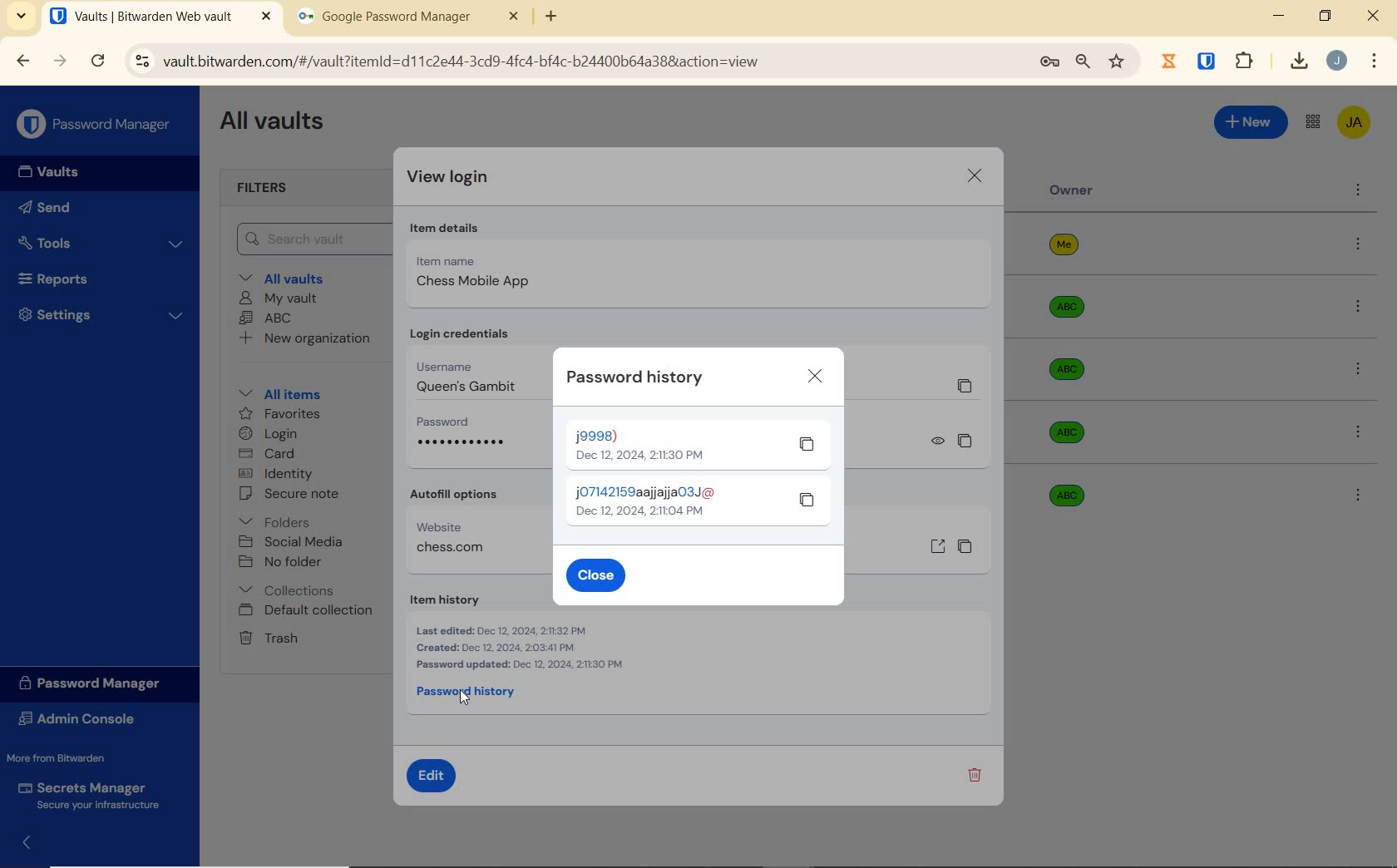 Image resolution: width=1397 pixels, height=868 pixels. Describe the element at coordinates (807, 500) in the screenshot. I see `copy` at that location.